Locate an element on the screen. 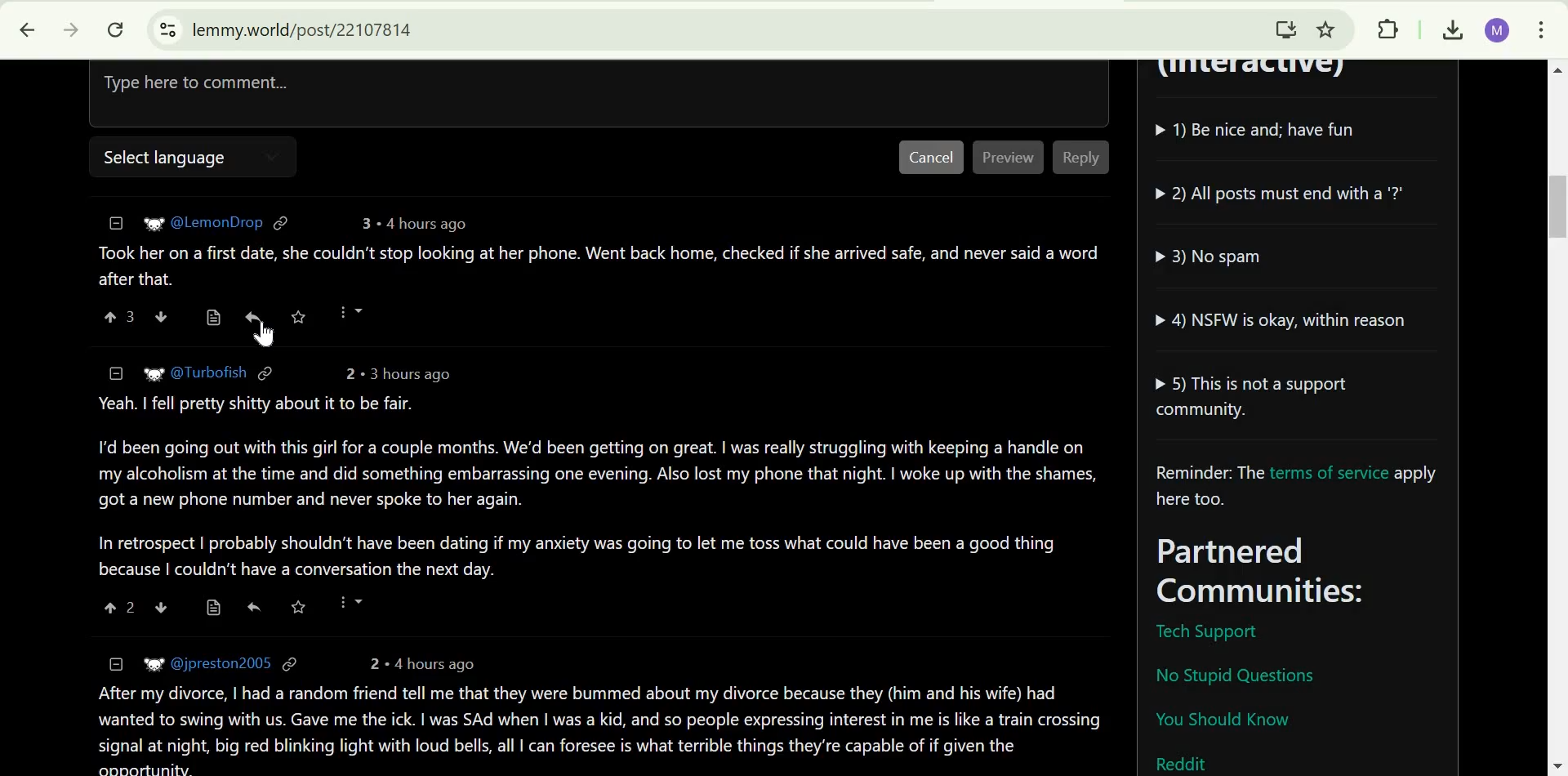 The width and height of the screenshot is (1568, 776). reply is located at coordinates (252, 317).